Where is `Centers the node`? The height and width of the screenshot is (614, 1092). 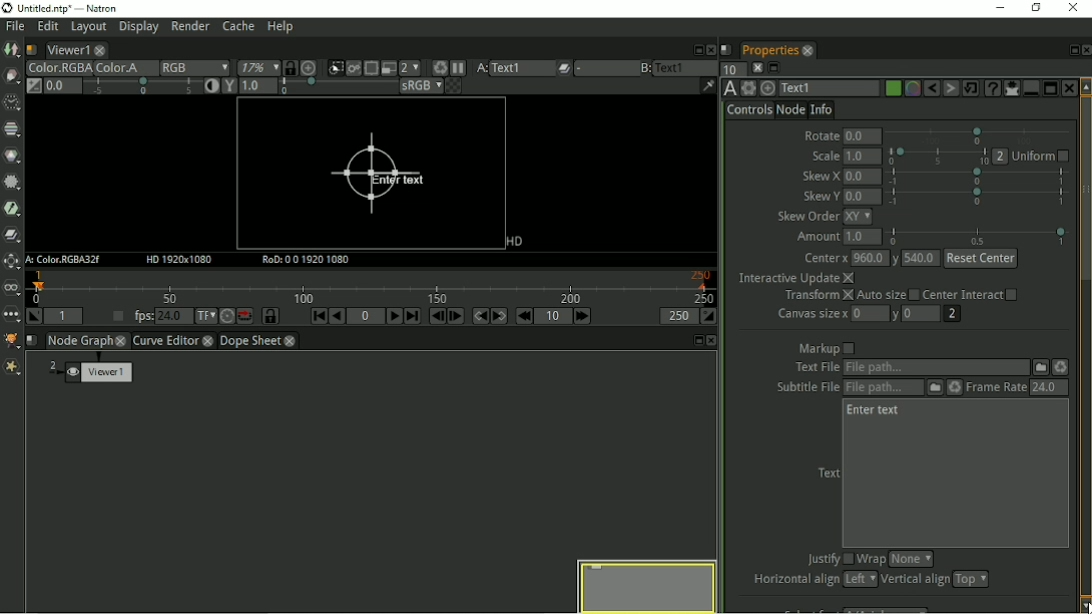
Centers the node is located at coordinates (765, 89).